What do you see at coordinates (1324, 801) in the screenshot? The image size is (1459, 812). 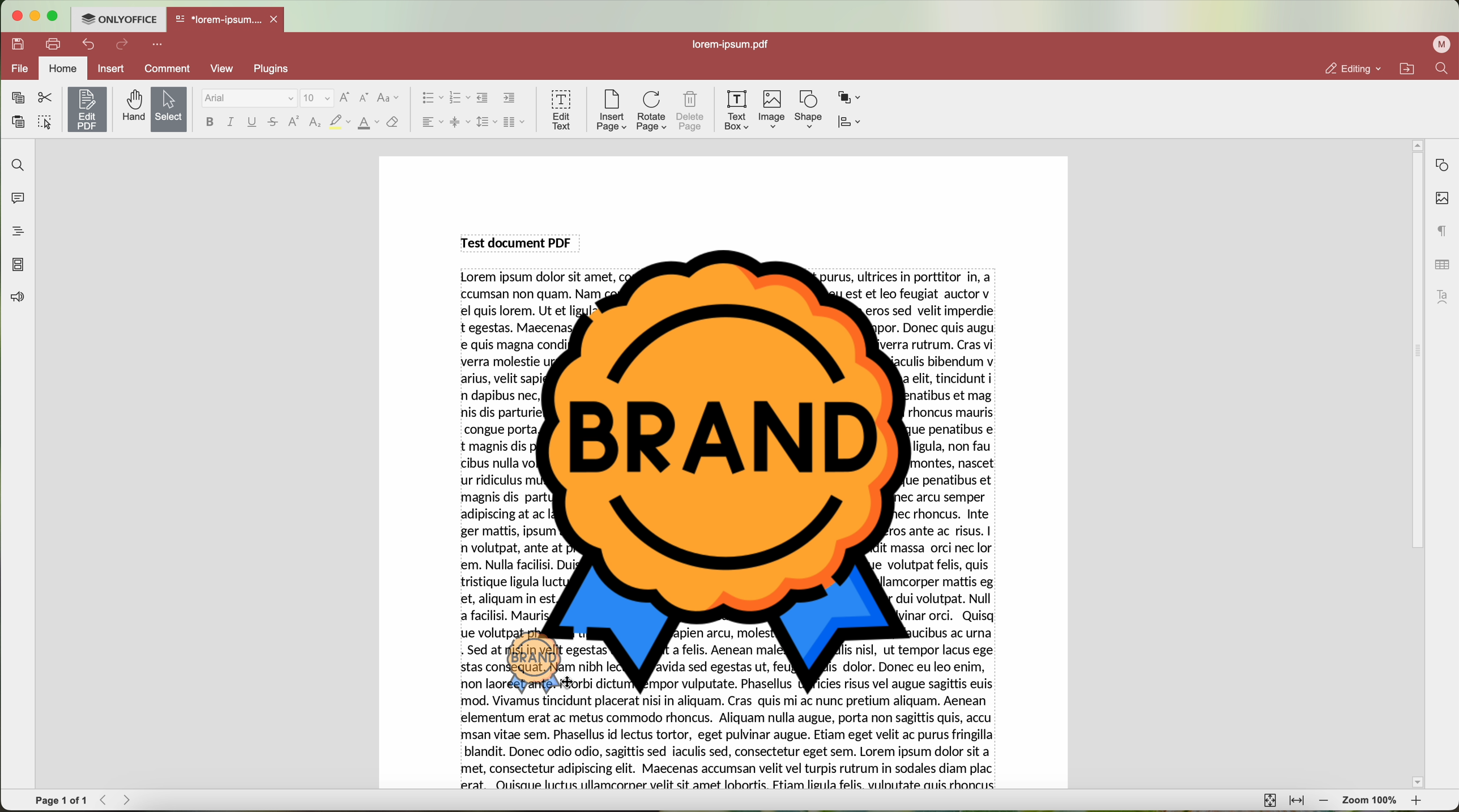 I see `zoom out` at bounding box center [1324, 801].